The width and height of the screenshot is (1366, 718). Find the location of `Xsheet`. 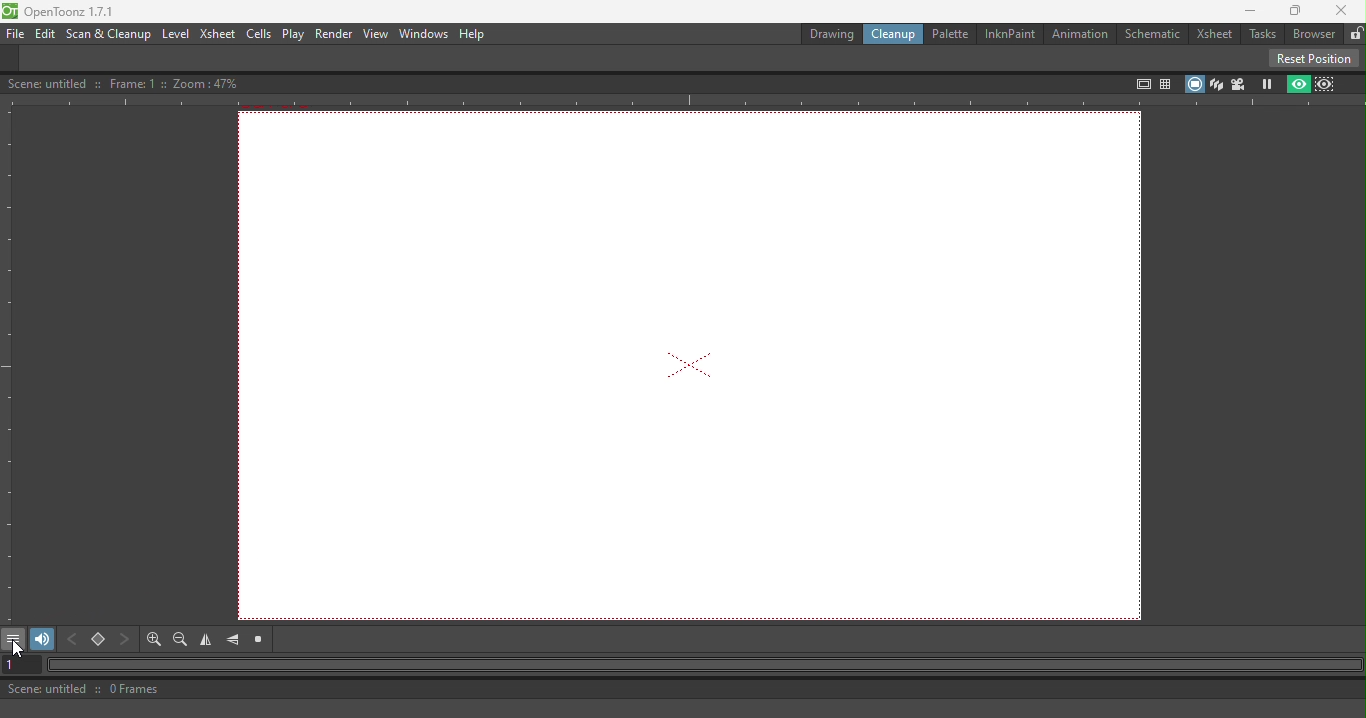

Xsheet is located at coordinates (217, 35).